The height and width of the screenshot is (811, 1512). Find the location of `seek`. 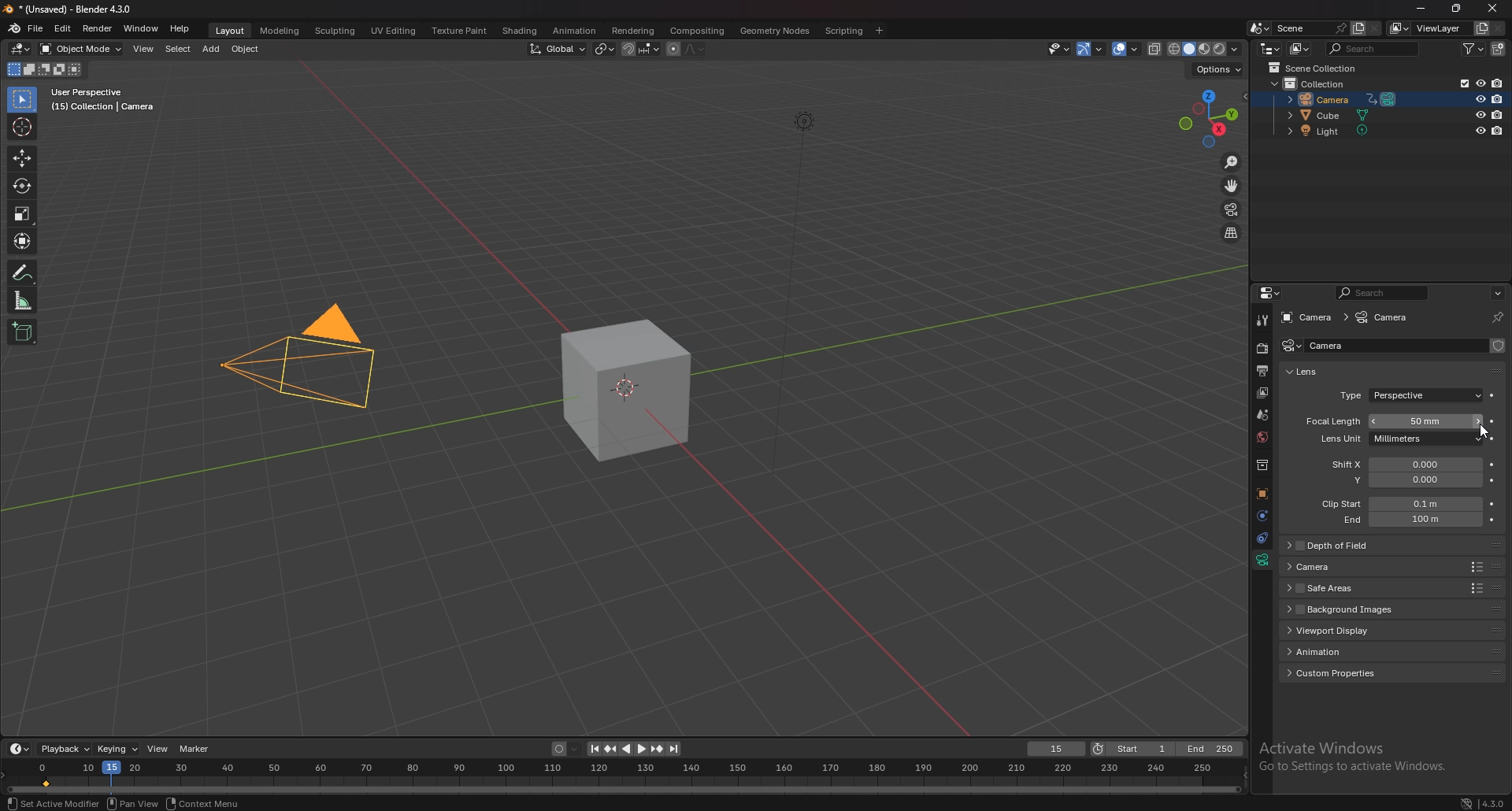

seek is located at coordinates (624, 777).